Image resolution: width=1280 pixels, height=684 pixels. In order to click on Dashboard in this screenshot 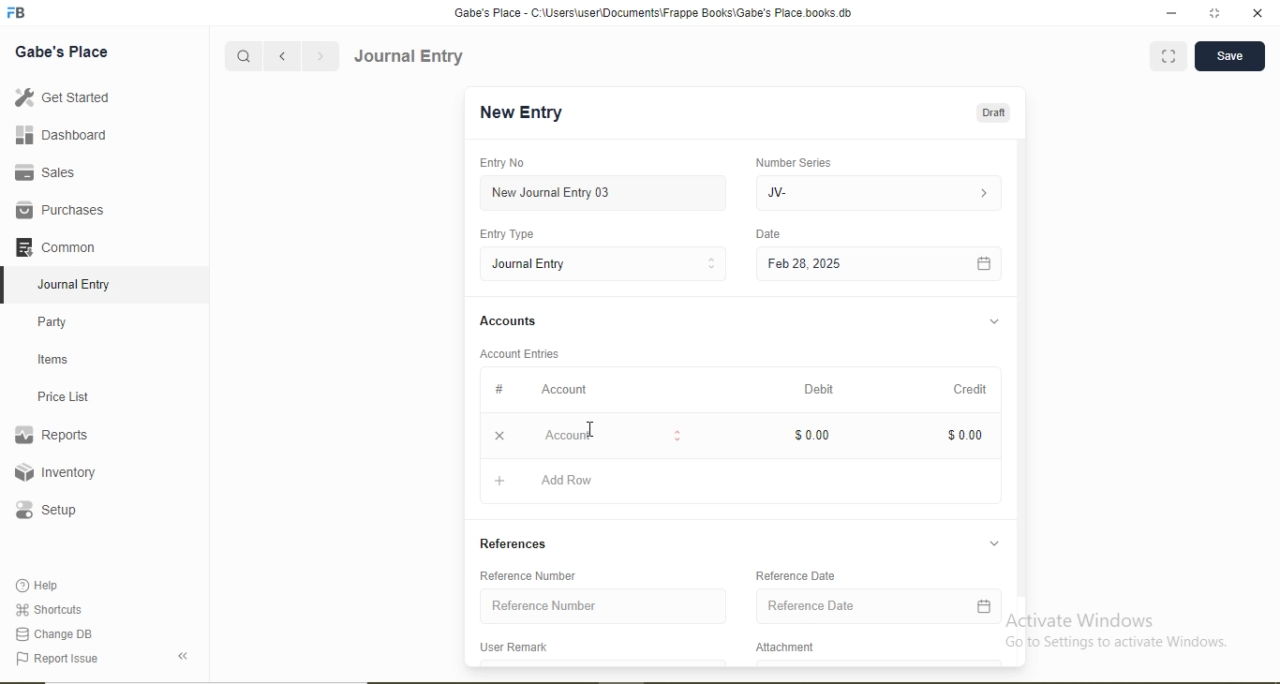, I will do `click(62, 134)`.